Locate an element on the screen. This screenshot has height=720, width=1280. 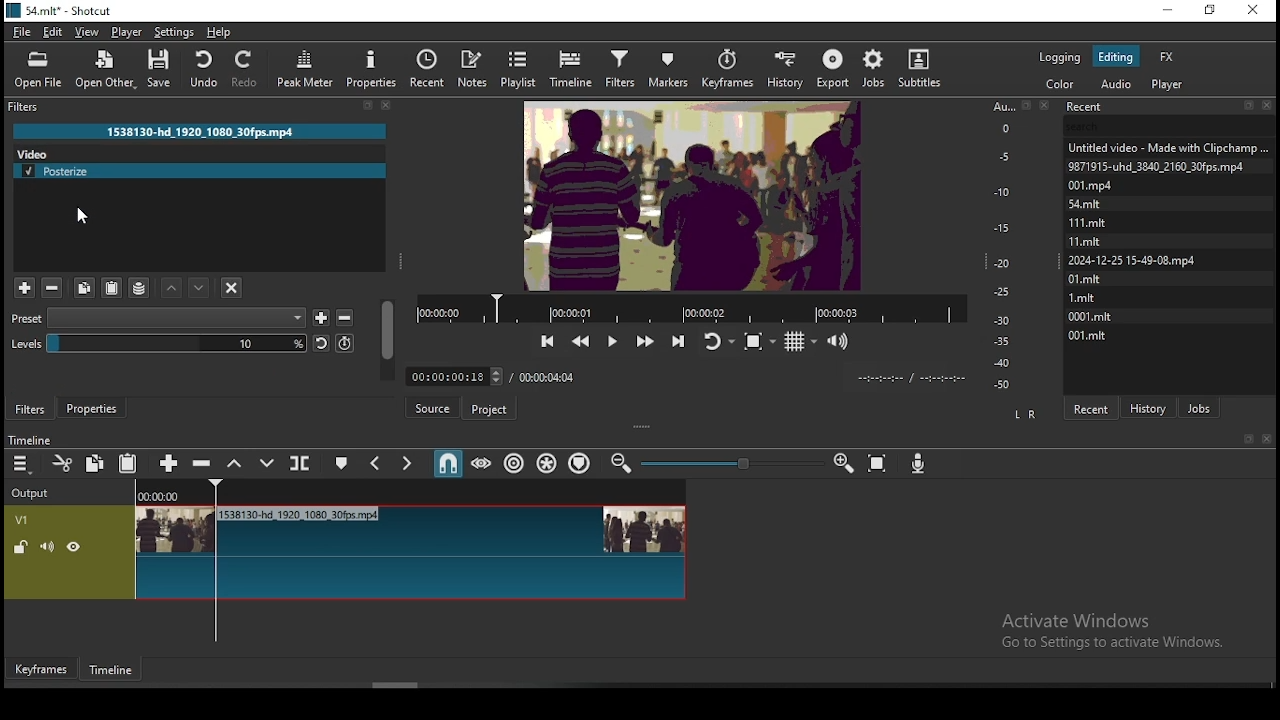
split at playhead is located at coordinates (300, 462).